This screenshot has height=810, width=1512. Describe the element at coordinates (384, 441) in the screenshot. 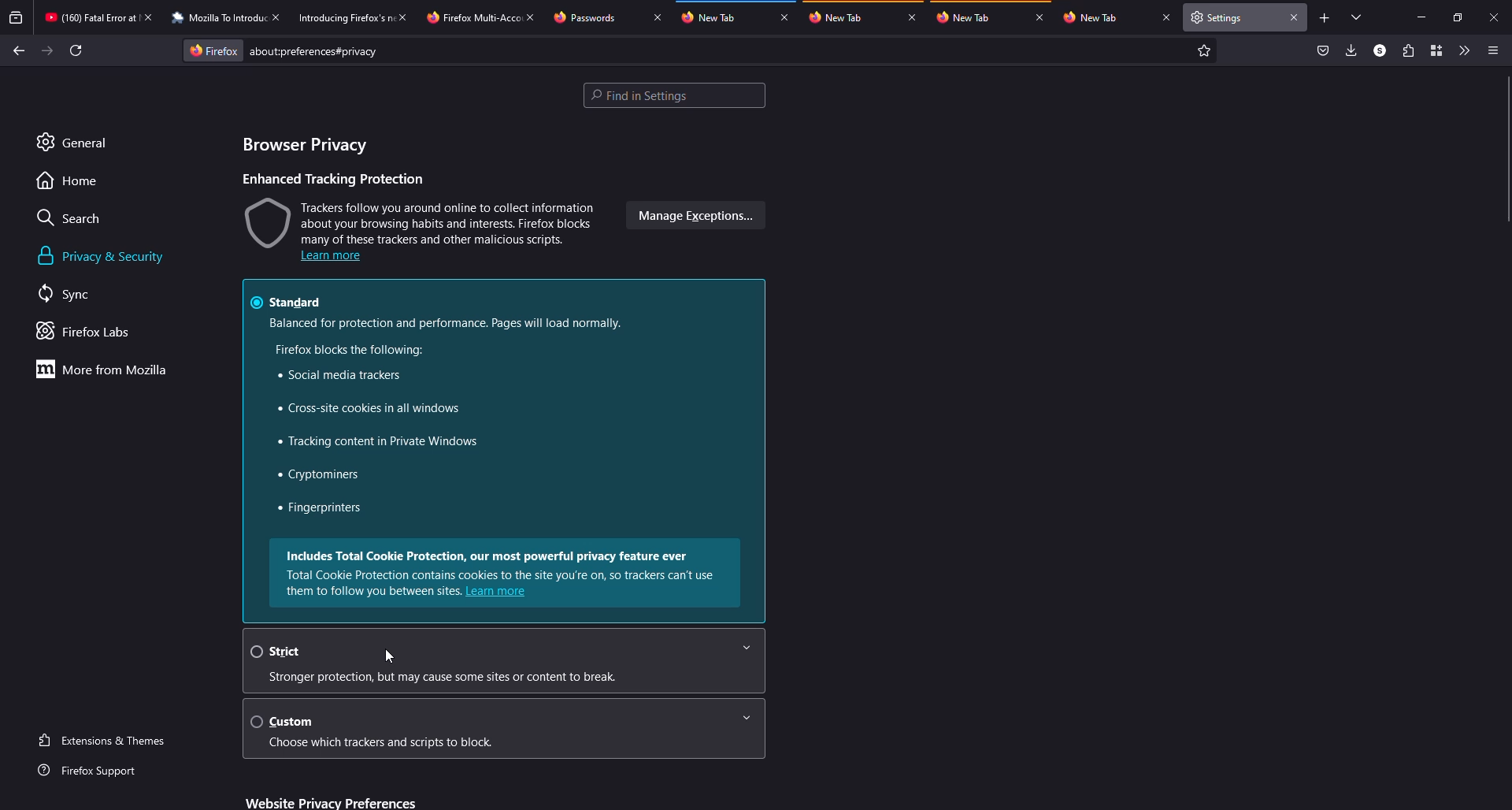

I see `tracking content in private windows` at that location.